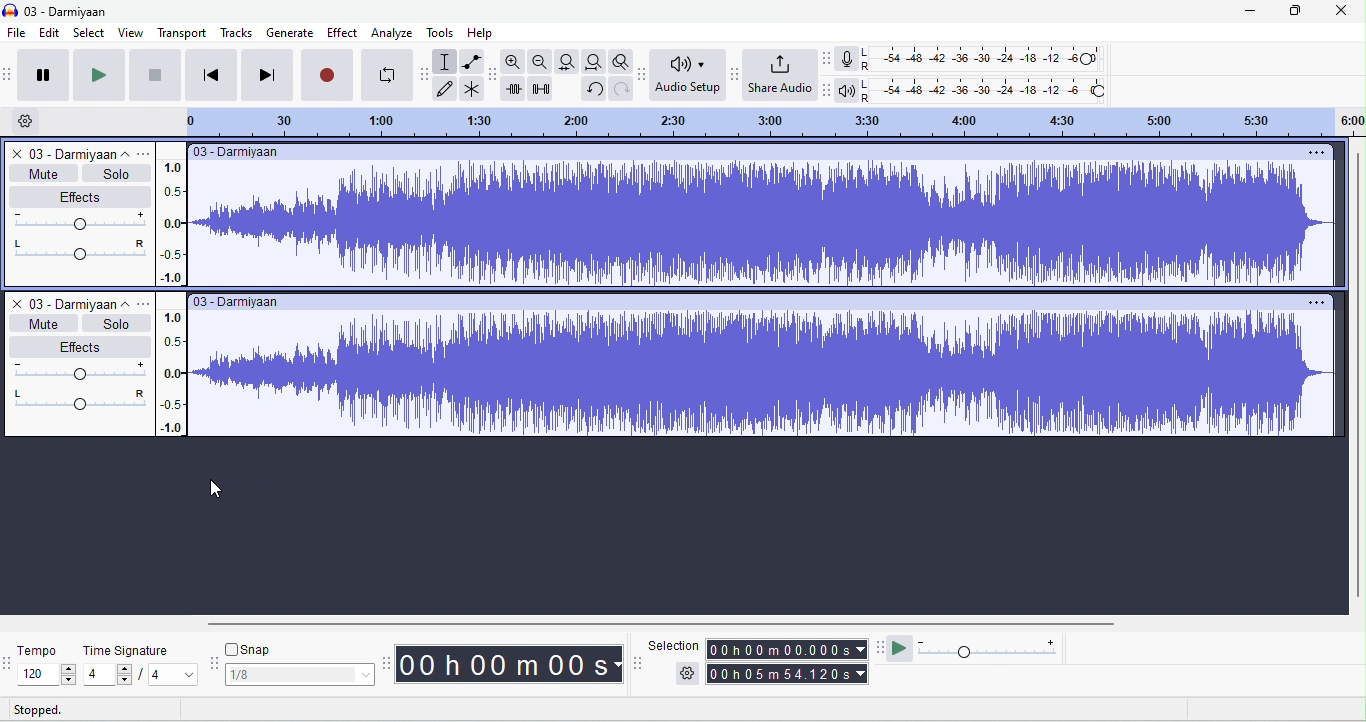  I want to click on close, so click(15, 154).